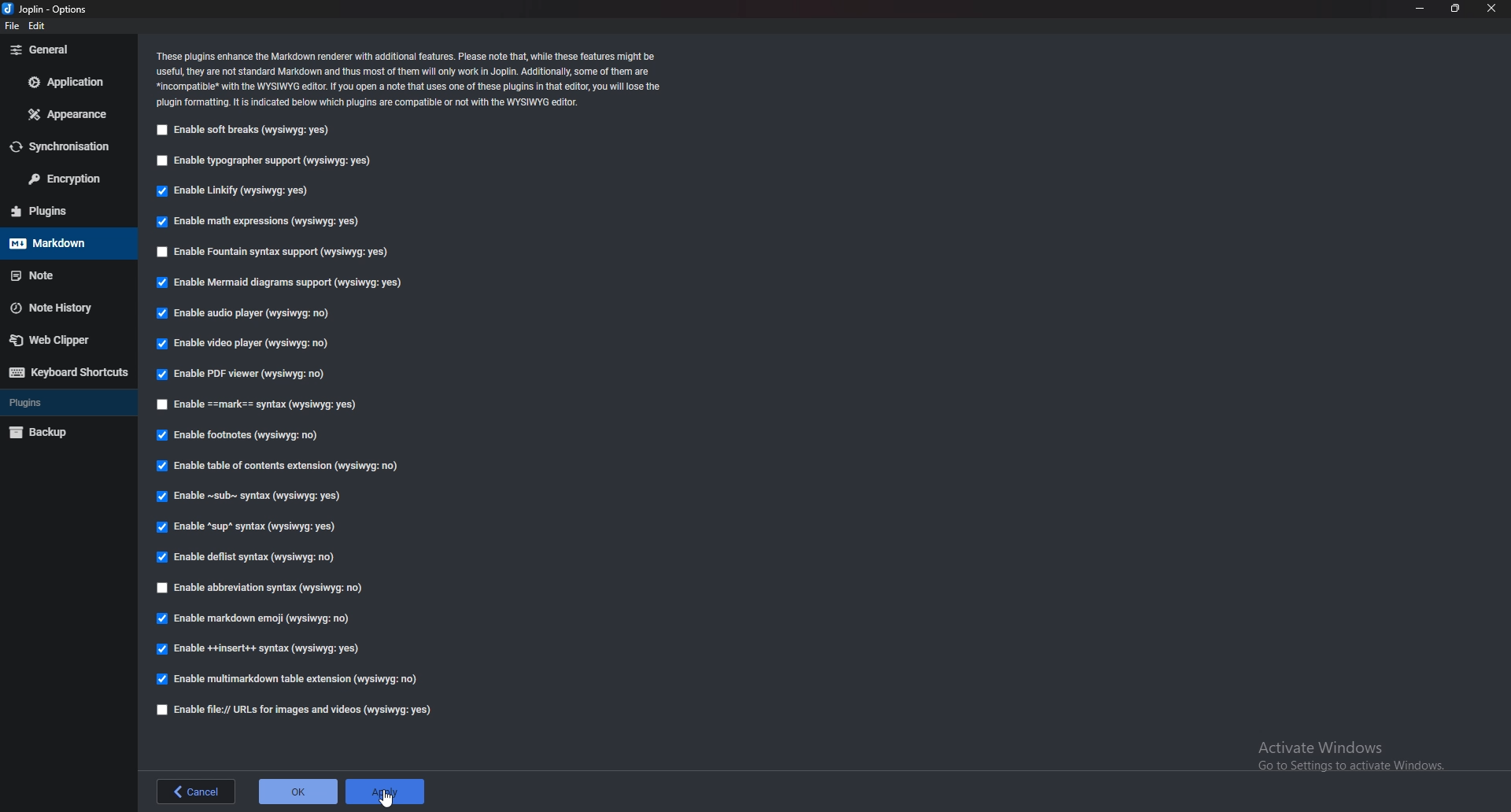 The height and width of the screenshot is (812, 1511). I want to click on Enable sup syntax, so click(251, 529).